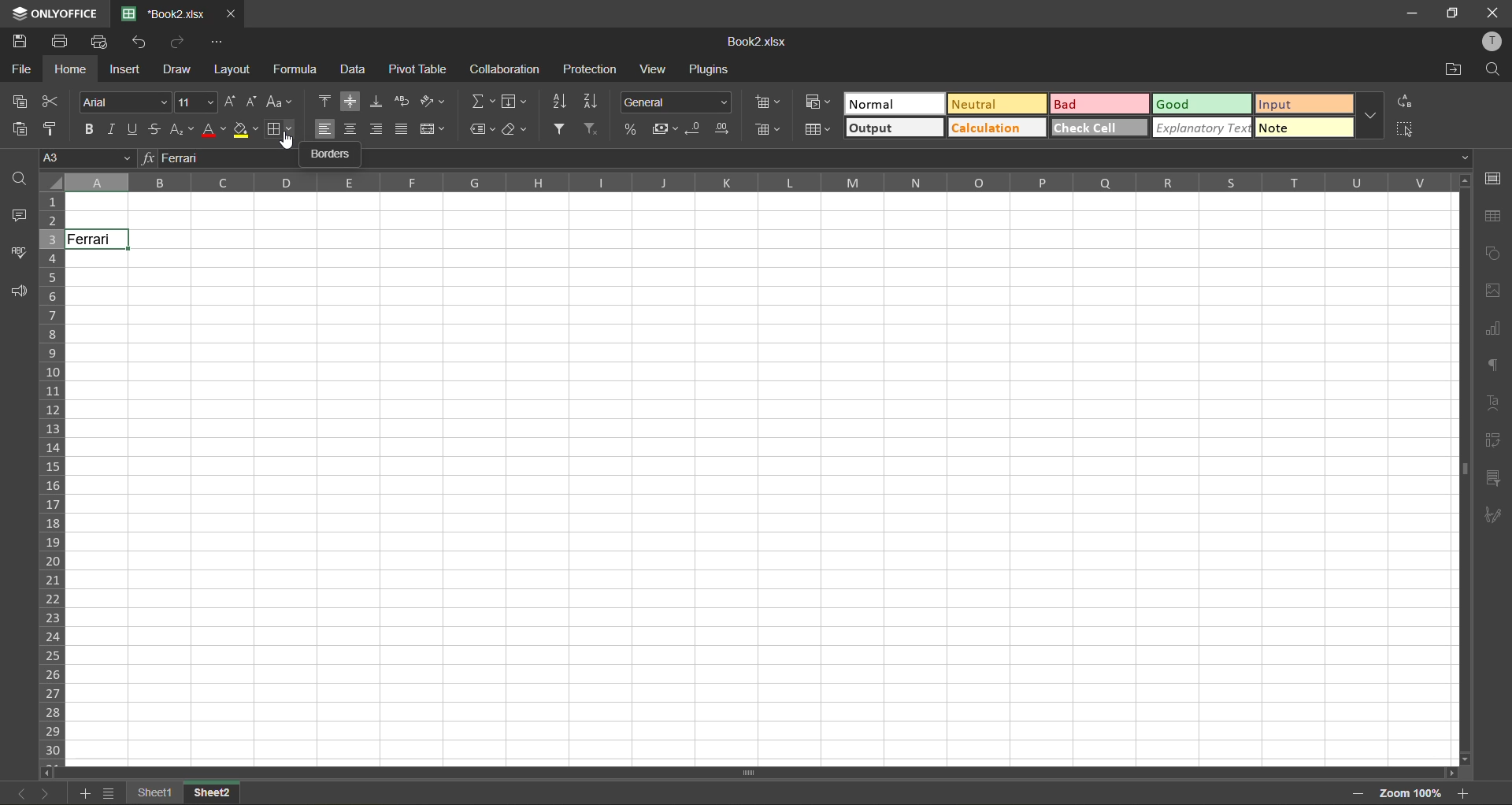  What do you see at coordinates (1492, 481) in the screenshot?
I see `slicer` at bounding box center [1492, 481].